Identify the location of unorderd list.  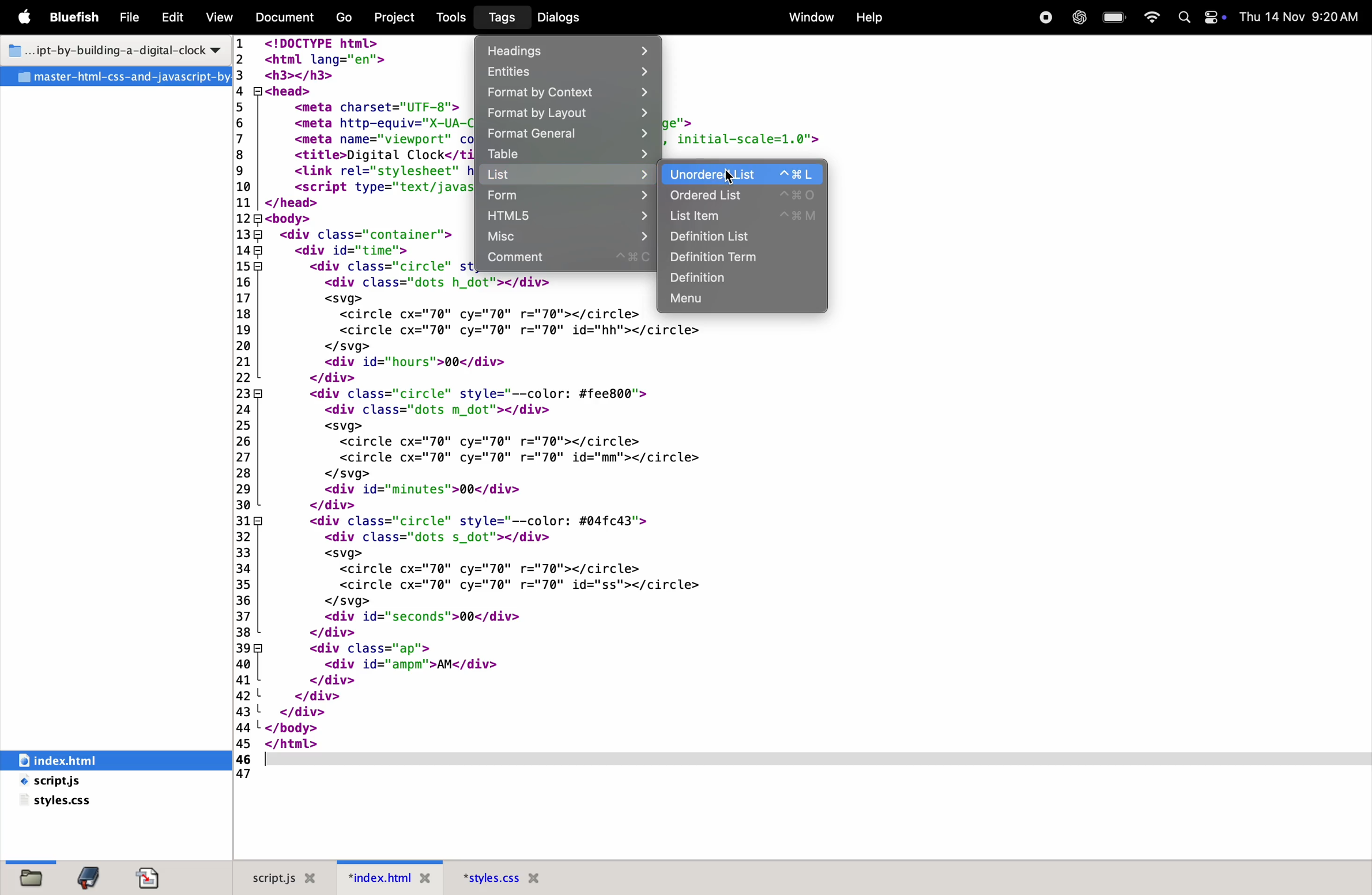
(691, 174).